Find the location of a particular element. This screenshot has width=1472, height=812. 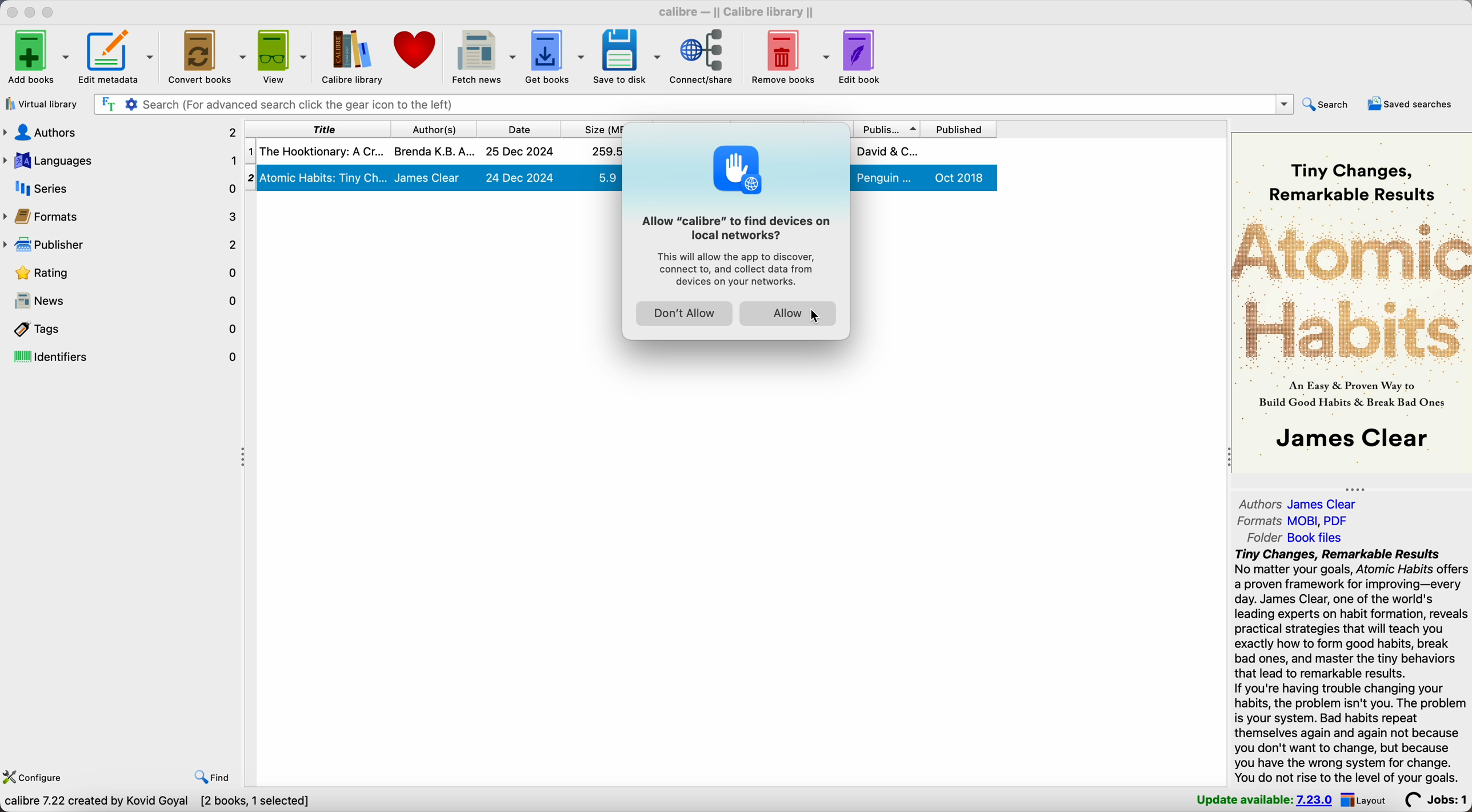

get books is located at coordinates (557, 56).